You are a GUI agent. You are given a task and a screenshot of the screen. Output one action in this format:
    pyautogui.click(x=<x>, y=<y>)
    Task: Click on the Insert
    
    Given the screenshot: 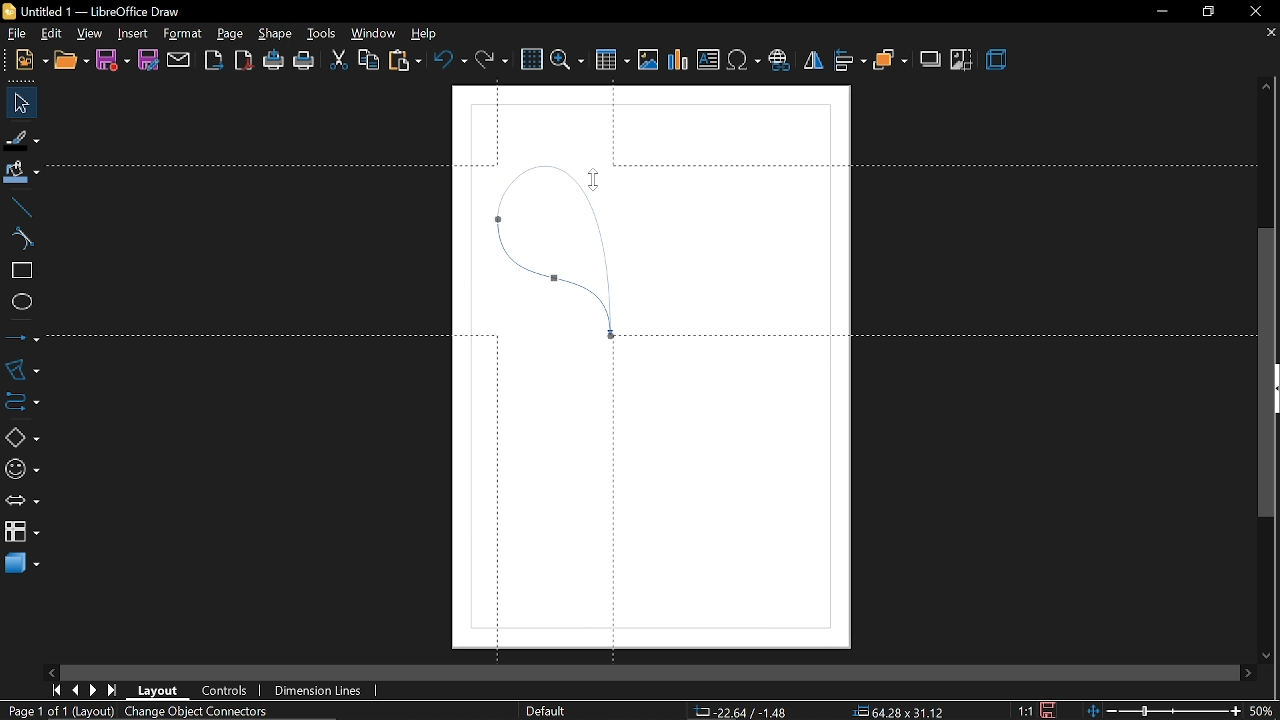 What is the action you would take?
    pyautogui.click(x=131, y=32)
    